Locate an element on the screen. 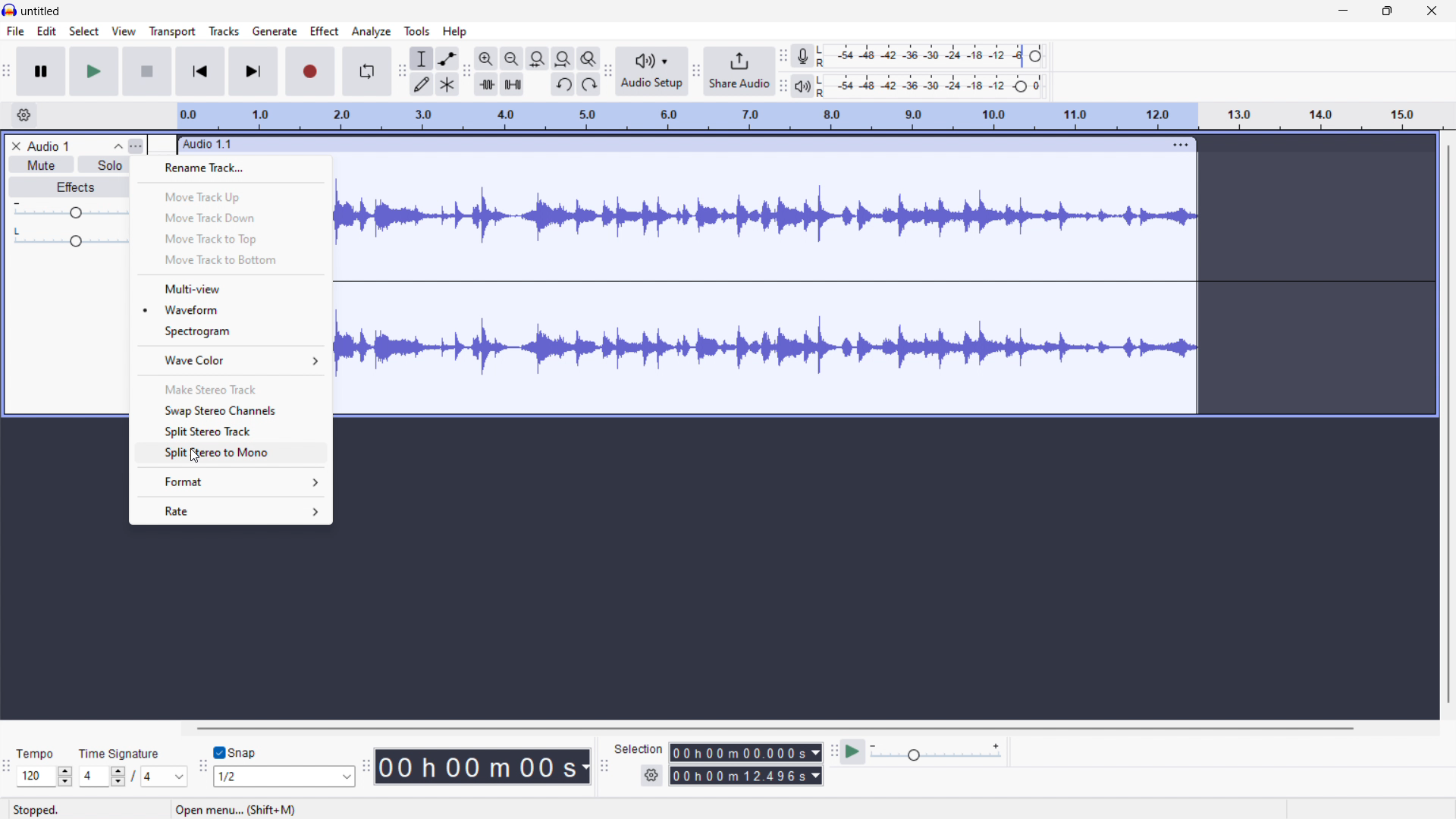 The width and height of the screenshot is (1456, 819). move track down is located at coordinates (230, 217).